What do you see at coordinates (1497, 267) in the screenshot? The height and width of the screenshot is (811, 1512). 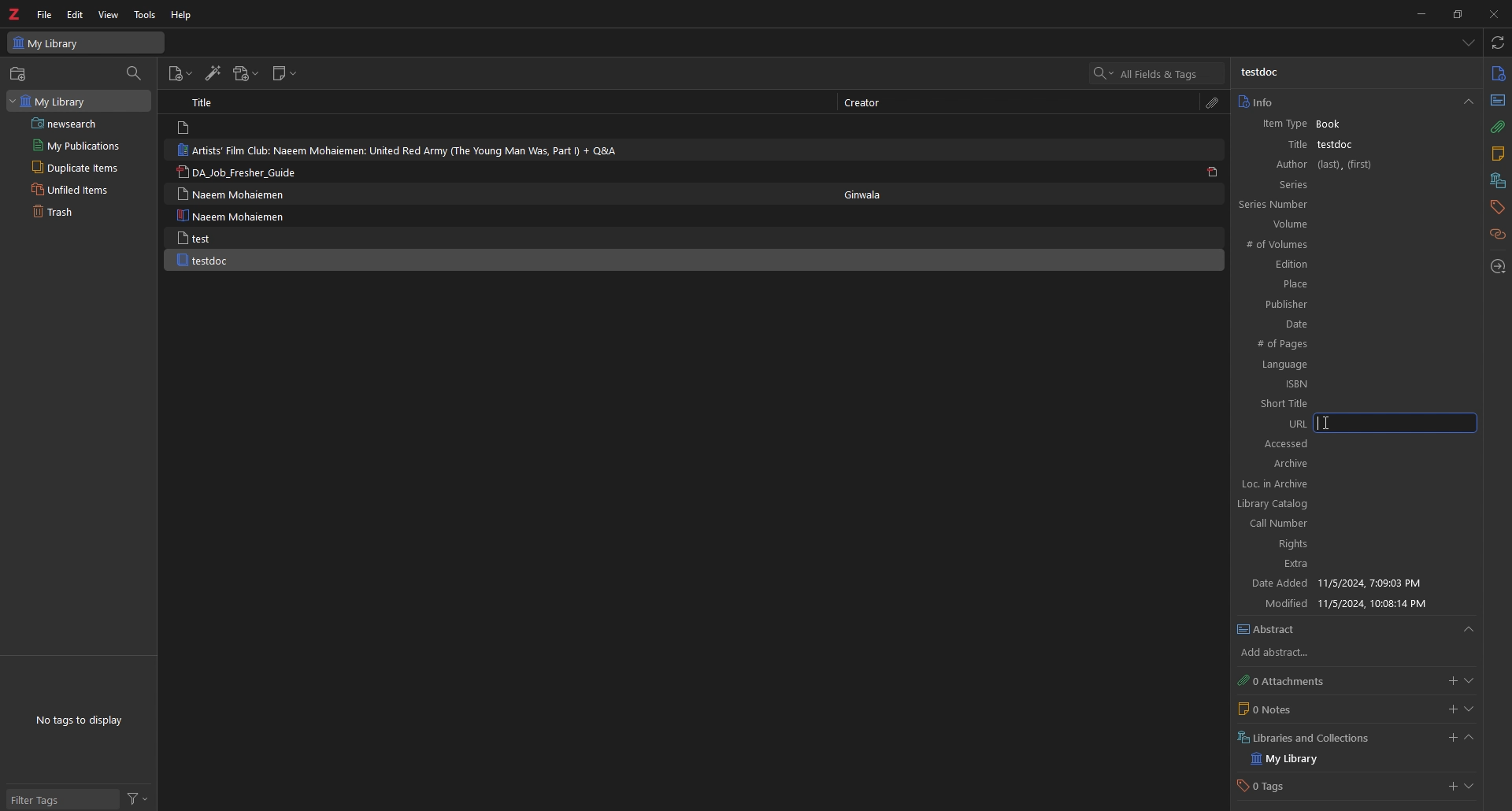 I see `locate` at bounding box center [1497, 267].